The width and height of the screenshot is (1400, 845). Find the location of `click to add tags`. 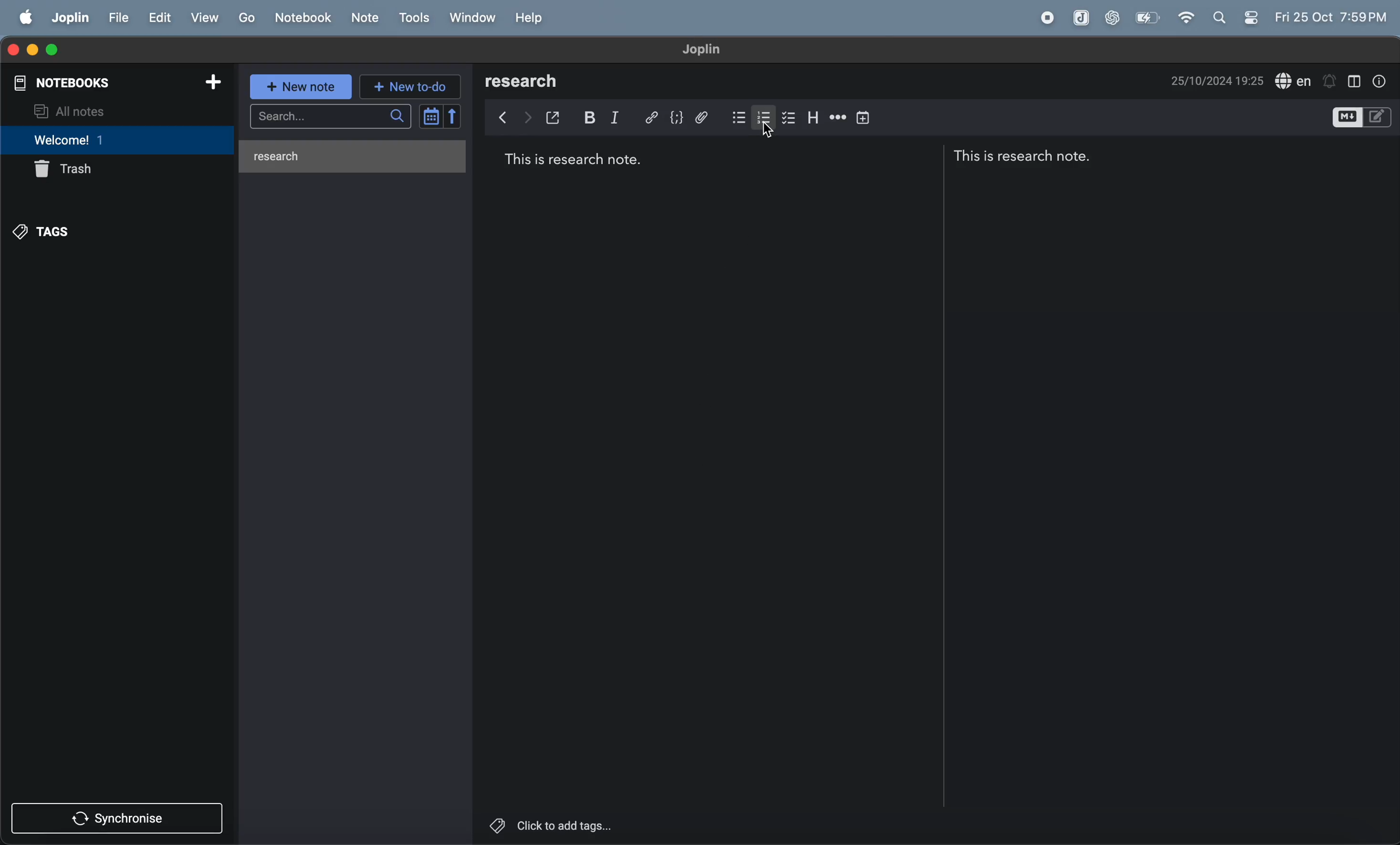

click to add tags is located at coordinates (570, 826).